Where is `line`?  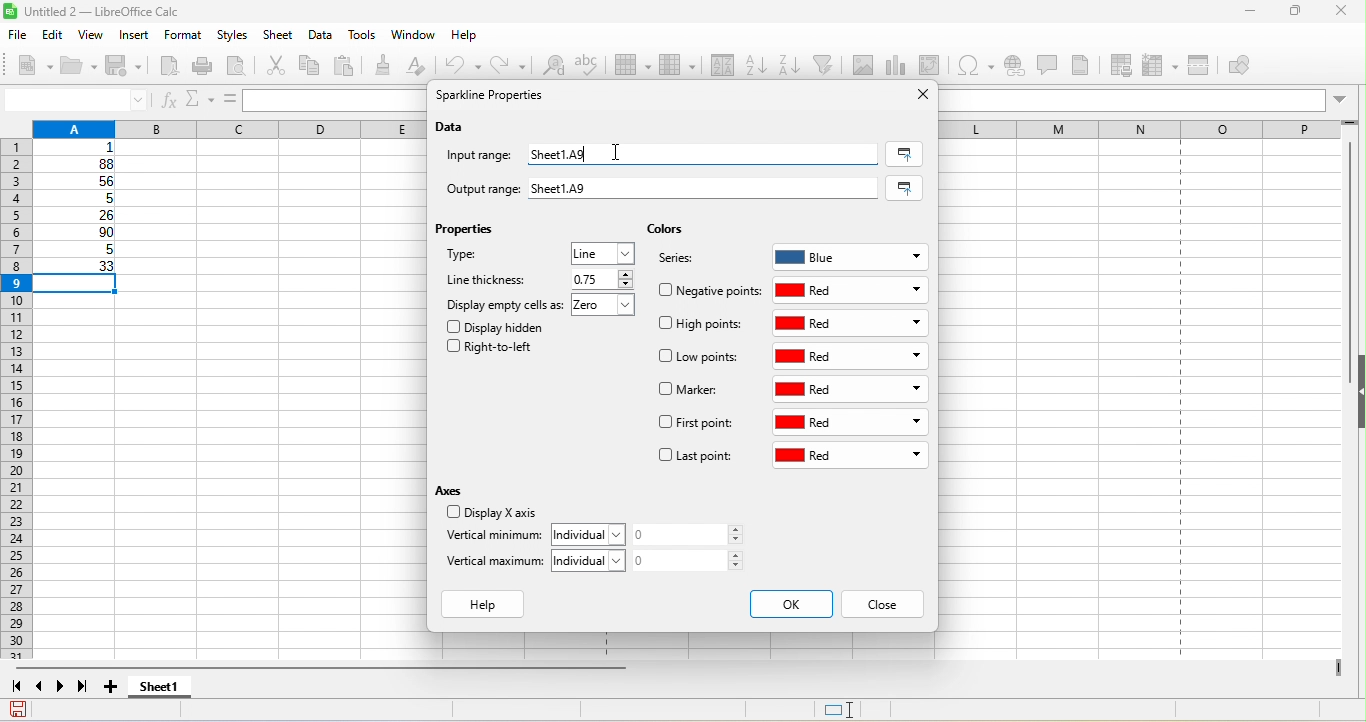
line is located at coordinates (604, 254).